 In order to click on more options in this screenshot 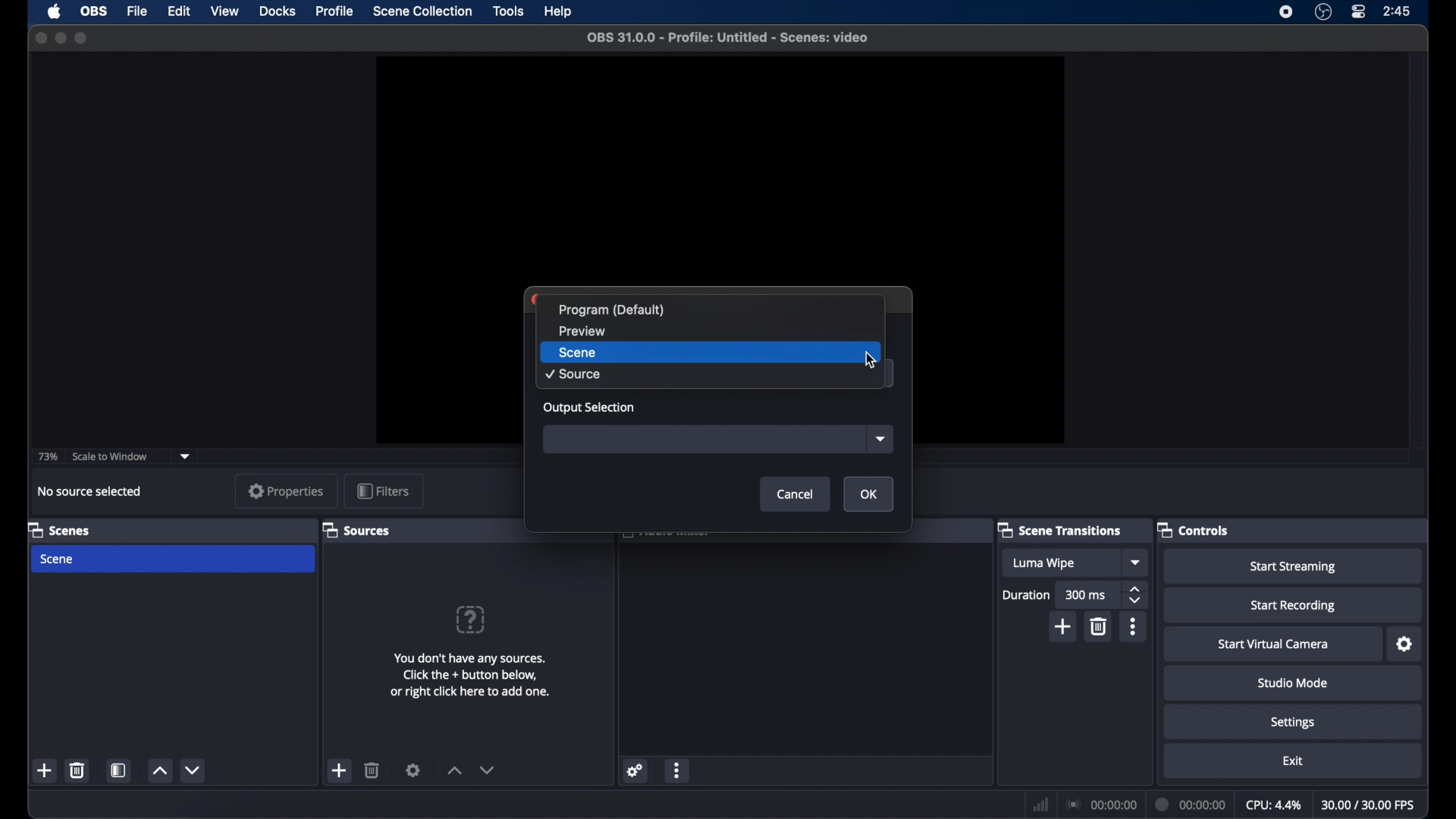, I will do `click(1134, 626)`.